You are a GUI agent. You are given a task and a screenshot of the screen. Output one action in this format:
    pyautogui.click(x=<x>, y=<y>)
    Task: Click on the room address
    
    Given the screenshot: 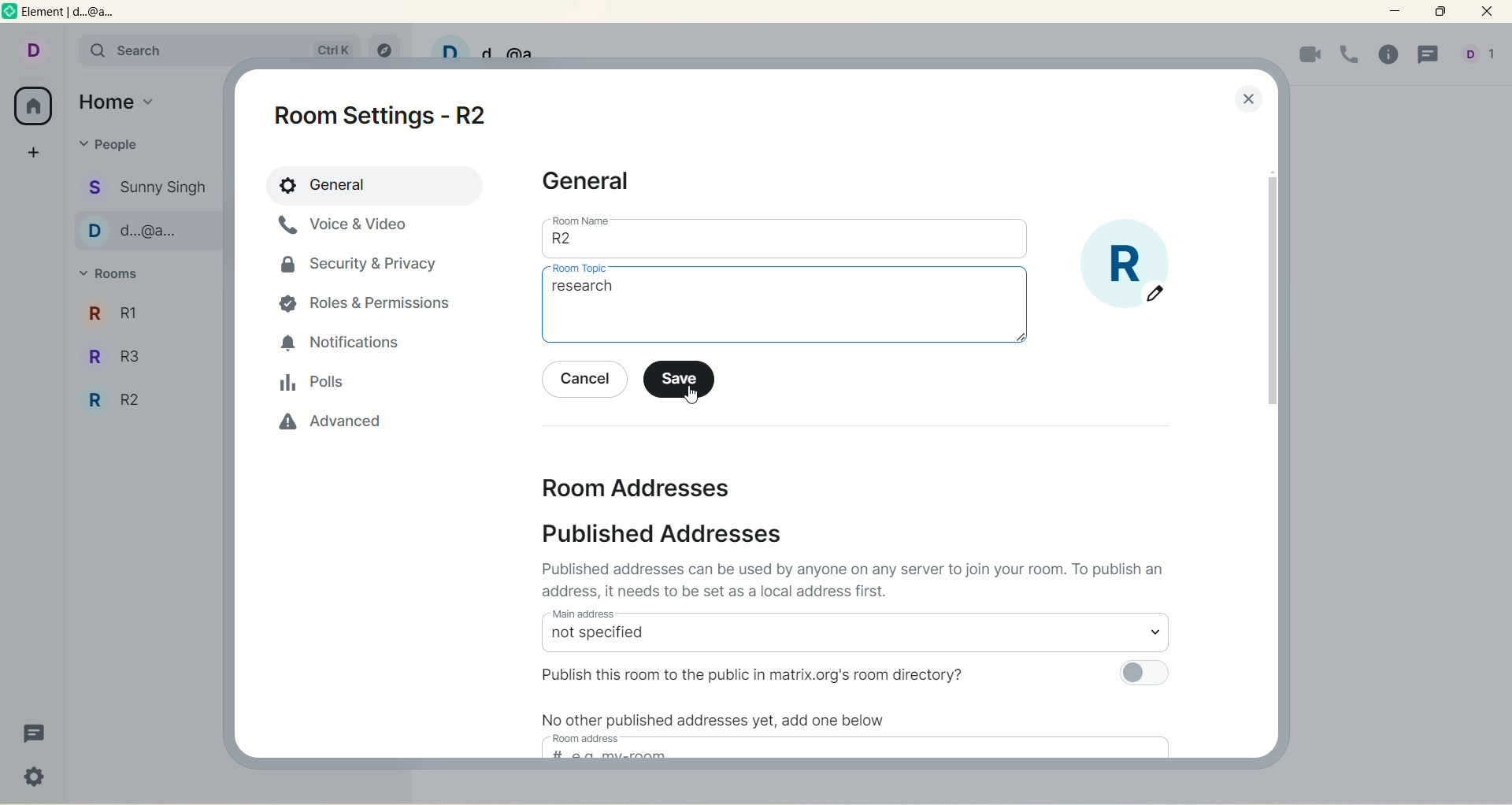 What is the action you would take?
    pyautogui.click(x=589, y=738)
    